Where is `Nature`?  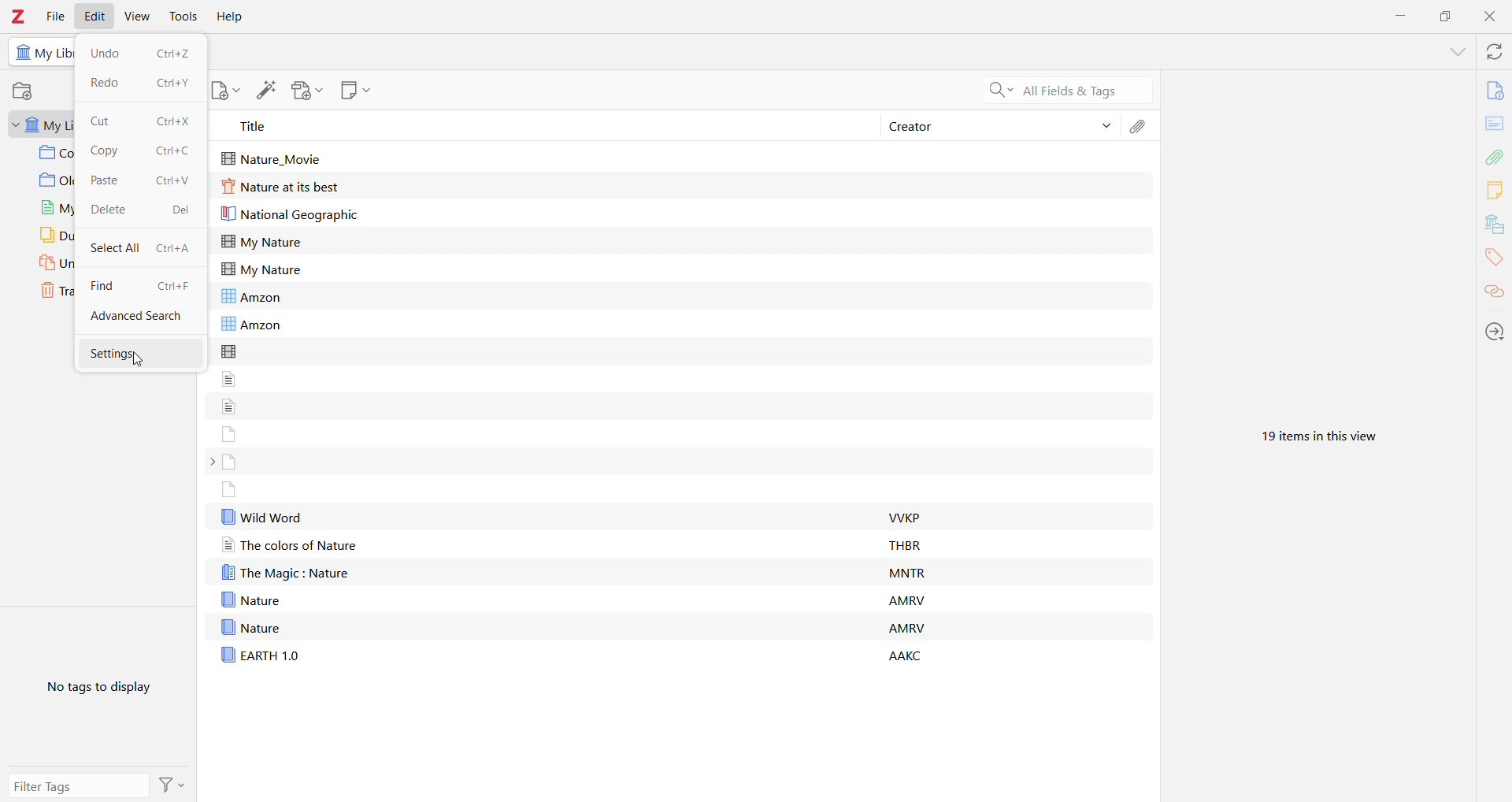
Nature is located at coordinates (250, 600).